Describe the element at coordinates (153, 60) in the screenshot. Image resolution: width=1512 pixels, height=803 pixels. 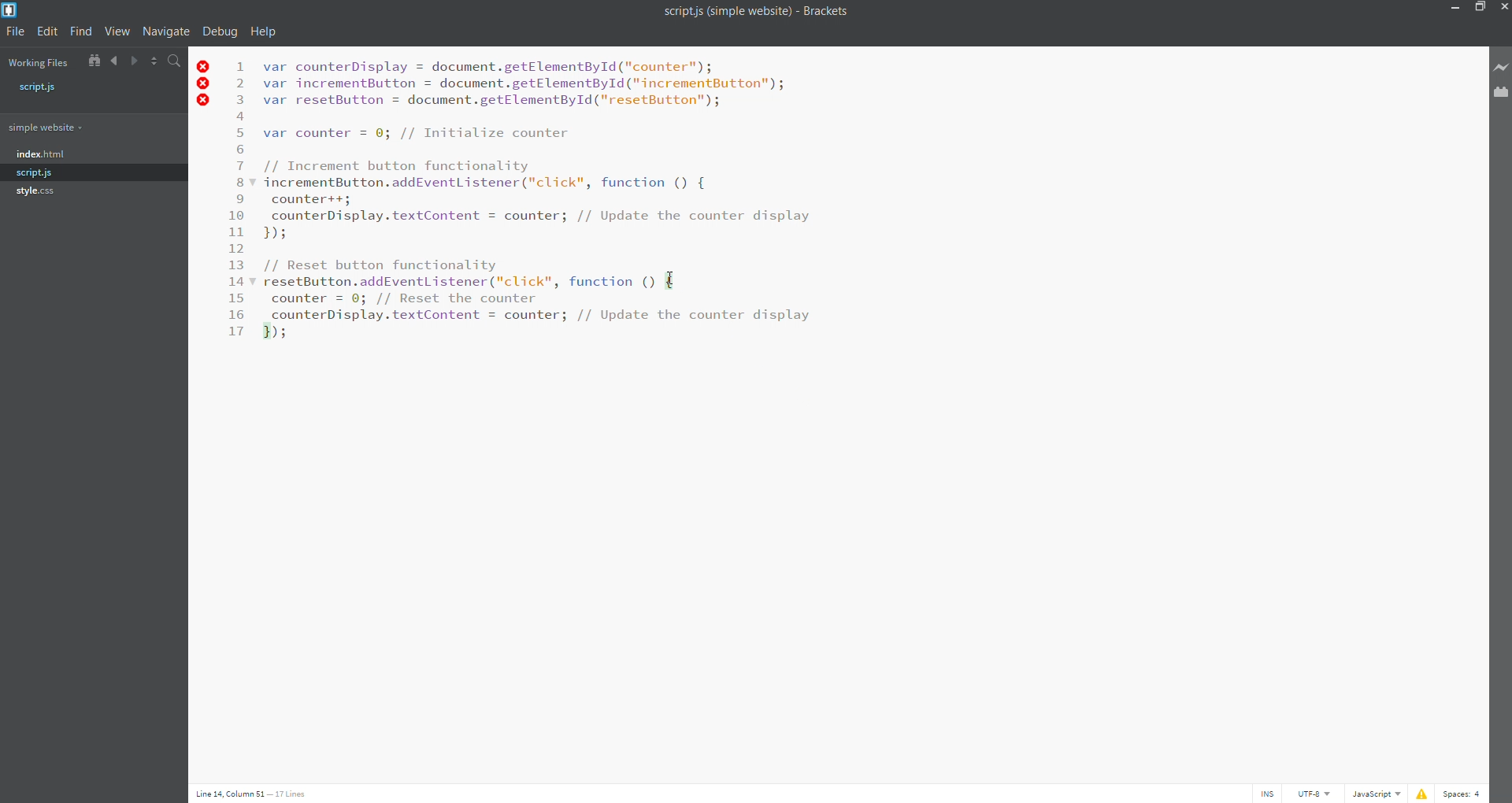
I see `split editor horizontally/vertically` at that location.